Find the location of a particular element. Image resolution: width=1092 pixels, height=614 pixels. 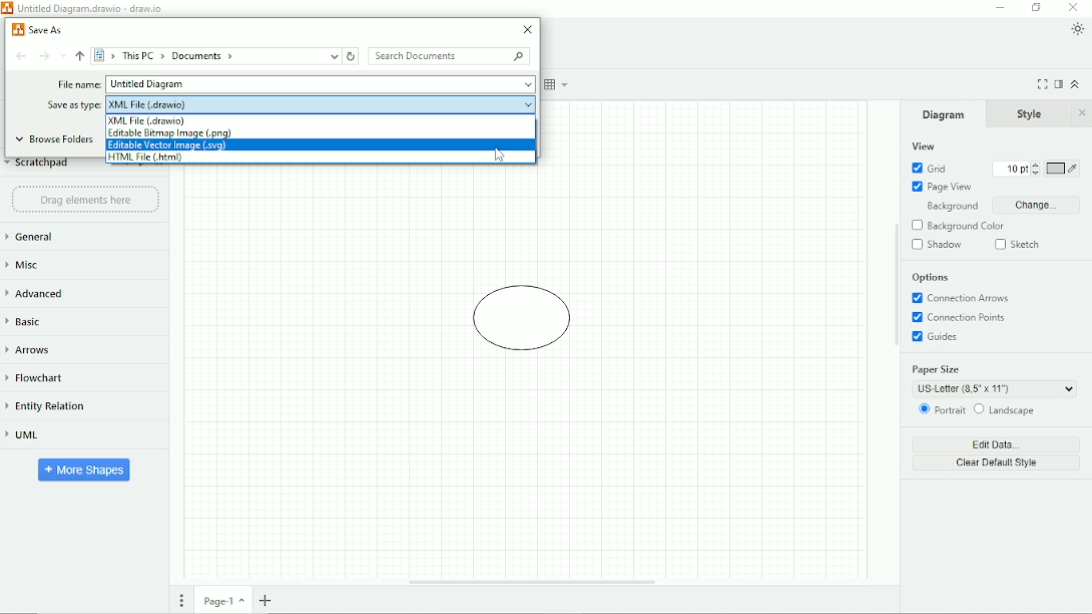

General is located at coordinates (31, 237).